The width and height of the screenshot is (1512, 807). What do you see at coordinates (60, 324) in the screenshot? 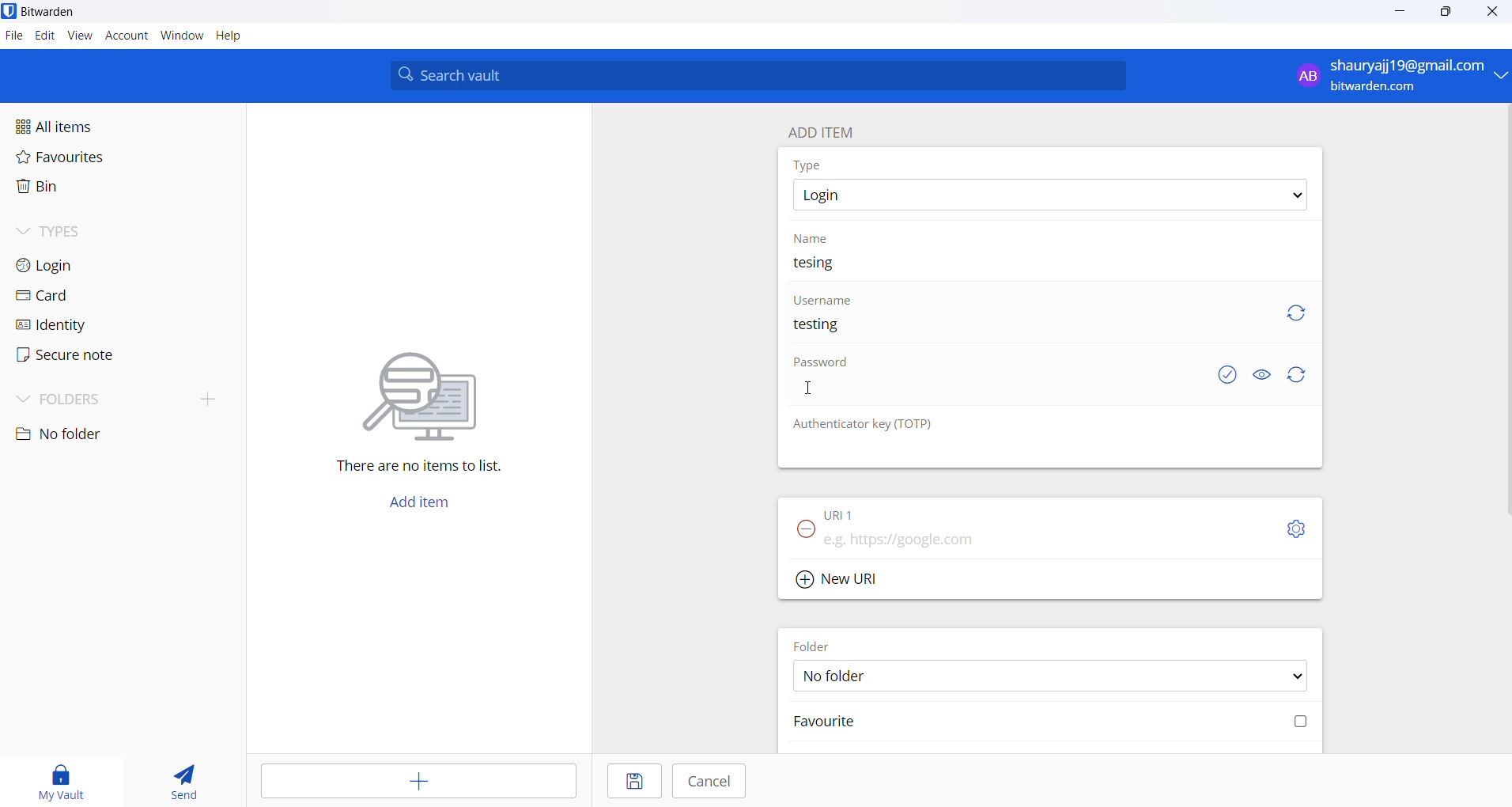
I see `identity` at bounding box center [60, 324].